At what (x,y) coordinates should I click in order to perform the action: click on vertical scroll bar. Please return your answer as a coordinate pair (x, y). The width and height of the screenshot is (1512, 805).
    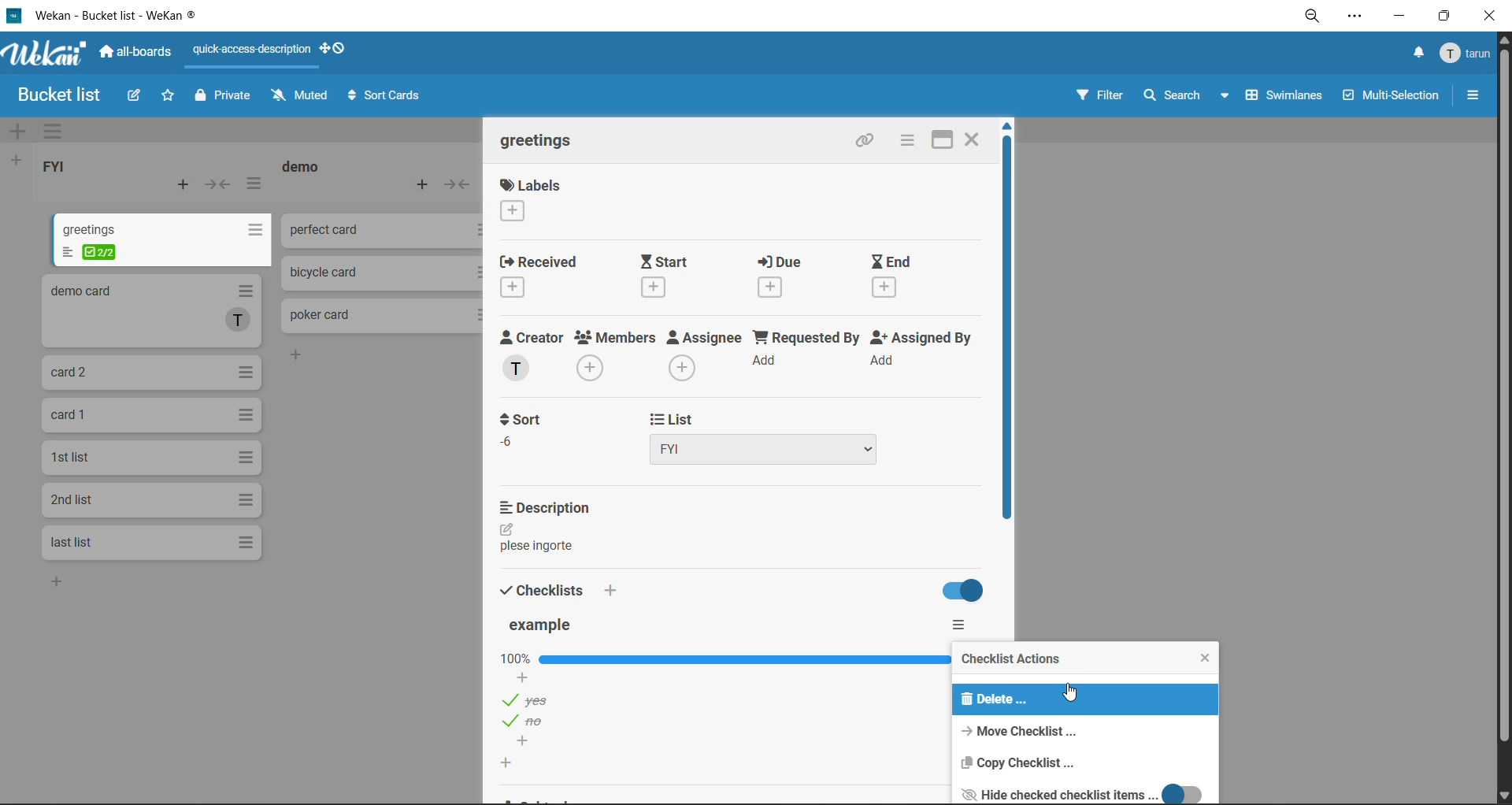
    Looking at the image, I should click on (1006, 328).